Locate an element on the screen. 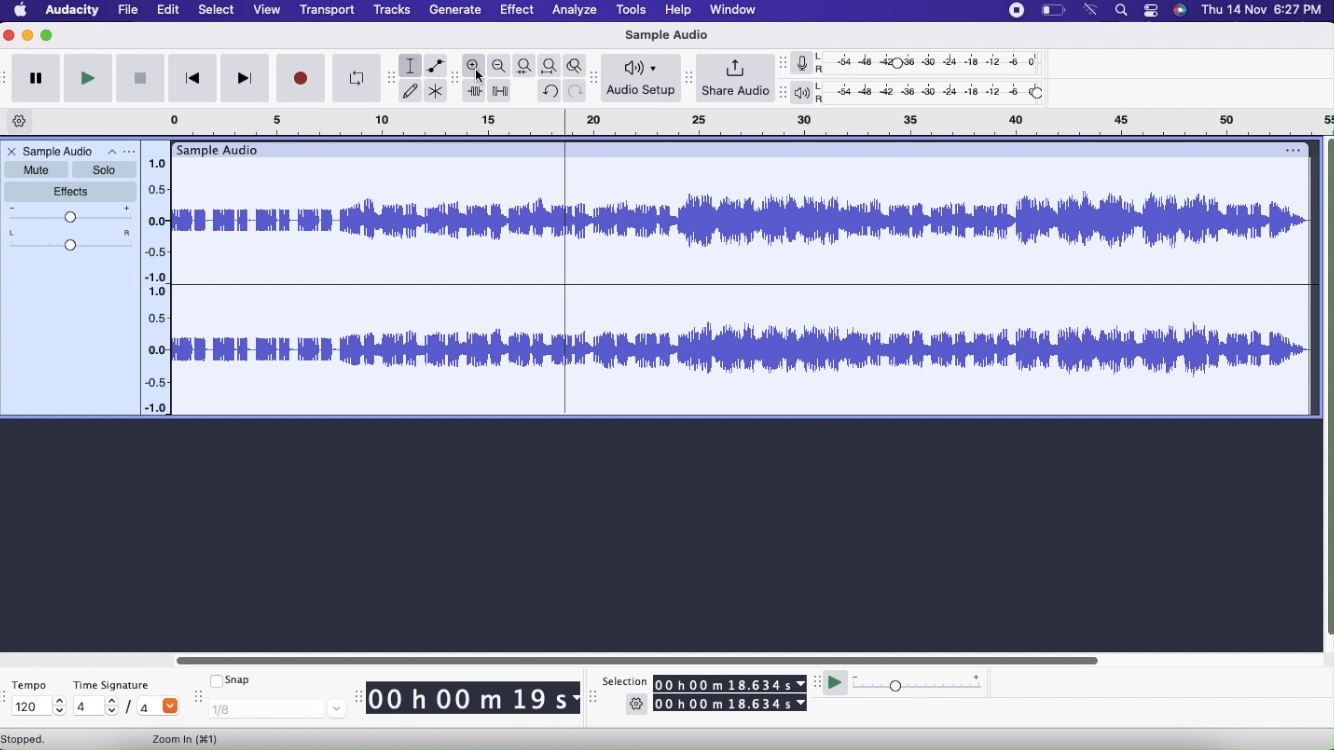  resize is located at coordinates (593, 700).